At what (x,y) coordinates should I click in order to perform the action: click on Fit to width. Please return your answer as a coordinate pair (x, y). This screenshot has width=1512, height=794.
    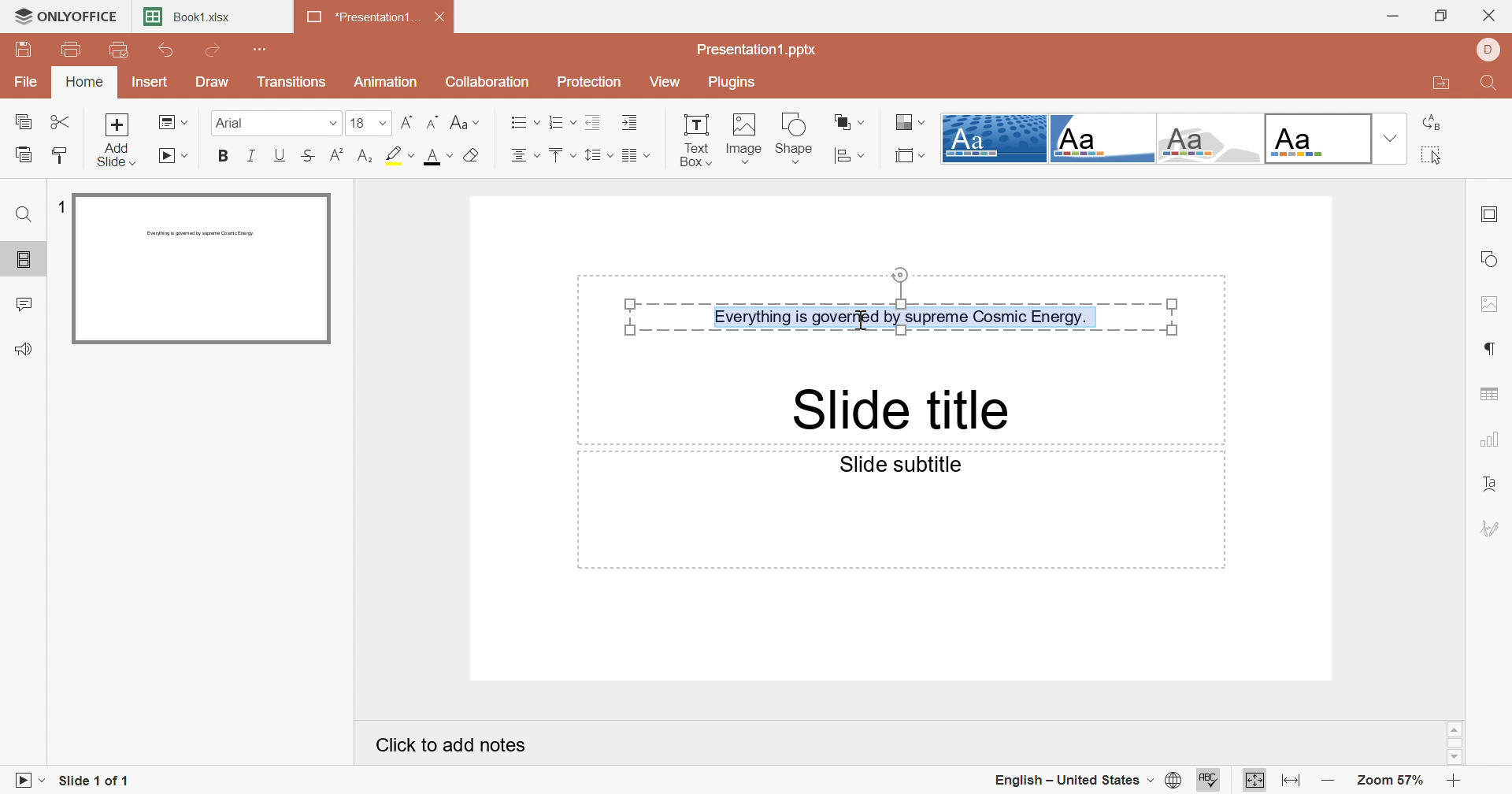
    Looking at the image, I should click on (1289, 781).